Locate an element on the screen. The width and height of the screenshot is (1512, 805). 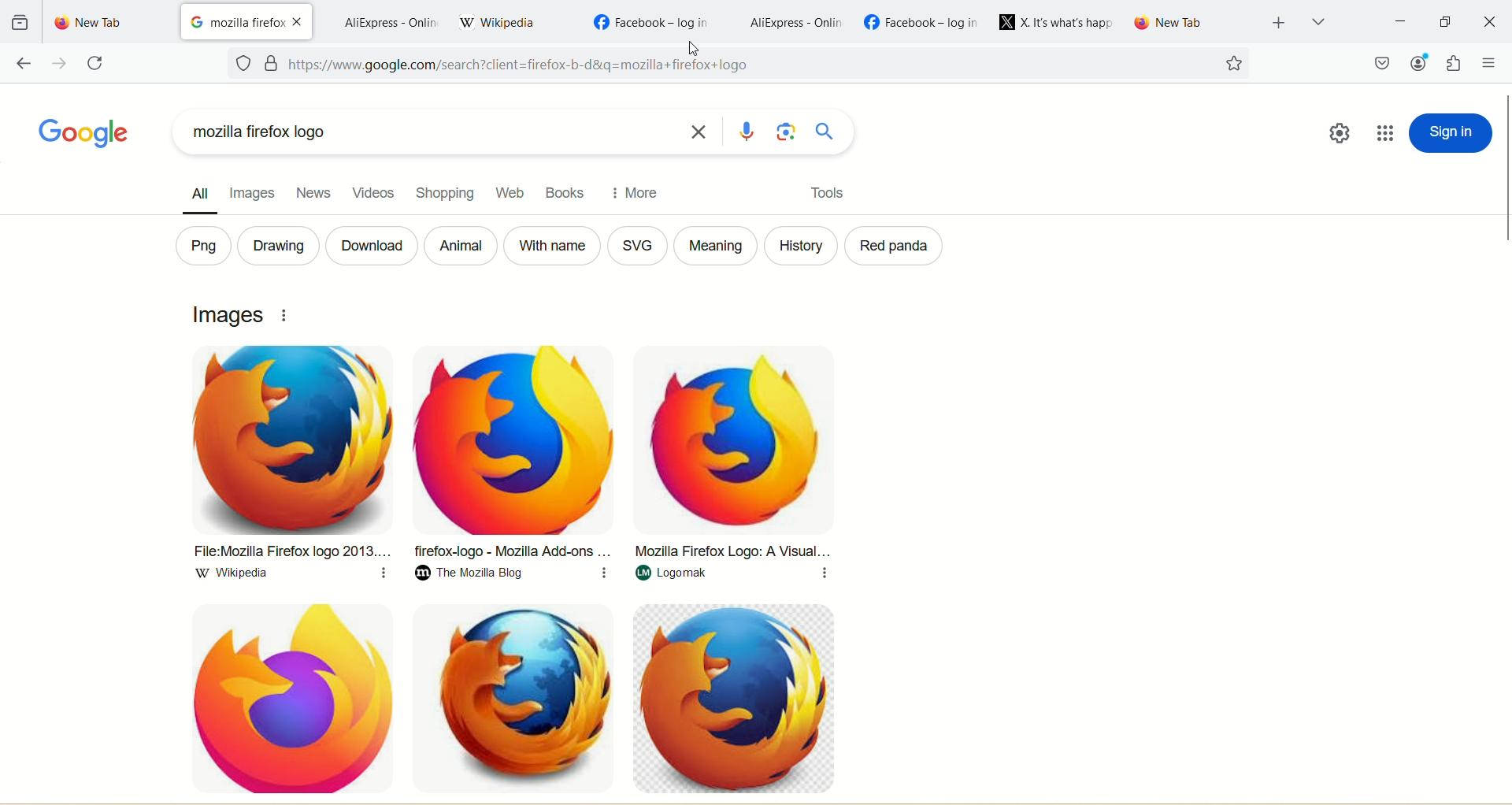
d panda is located at coordinates (895, 245).